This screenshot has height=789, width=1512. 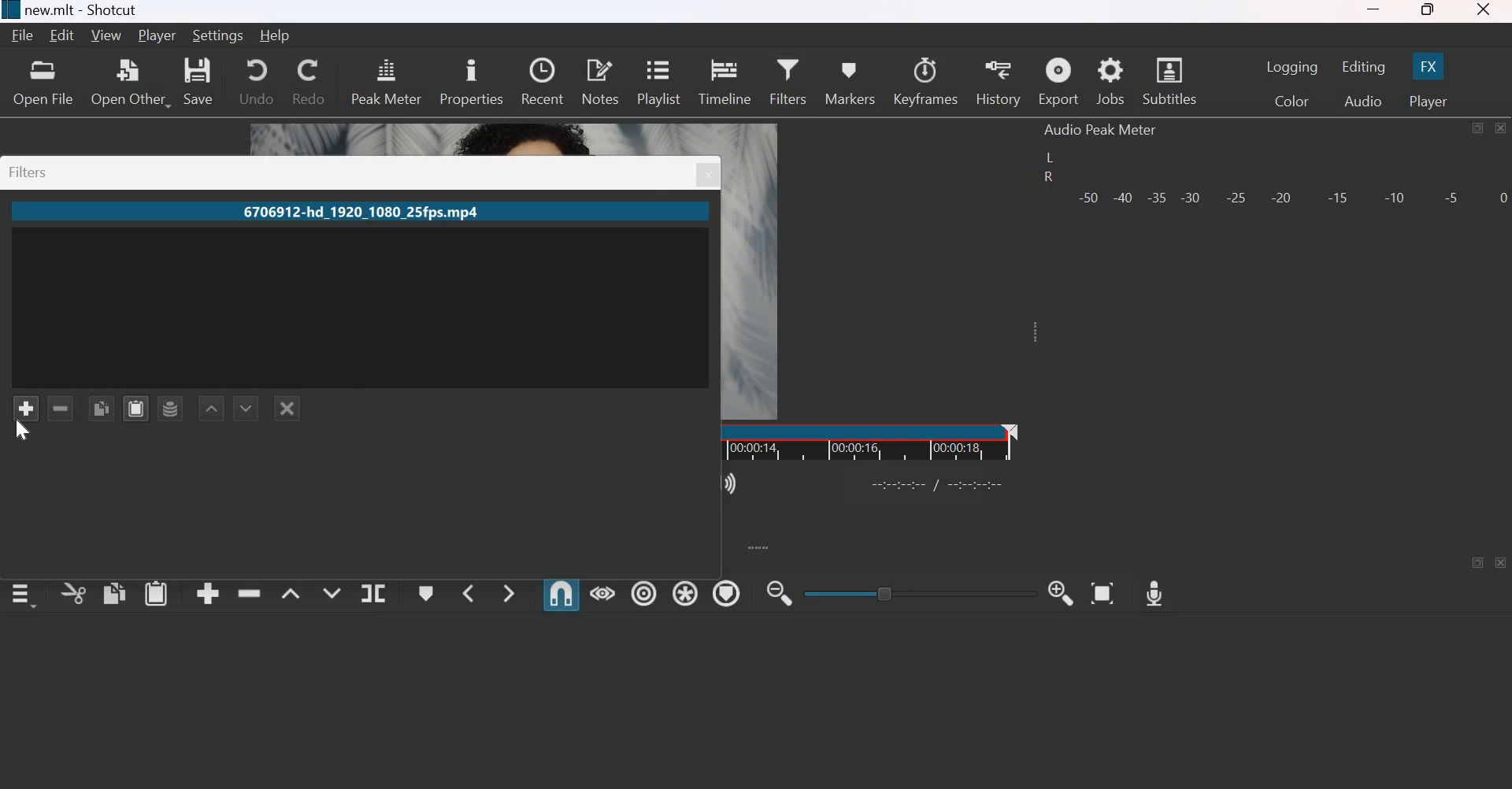 I want to click on paste, so click(x=157, y=592).